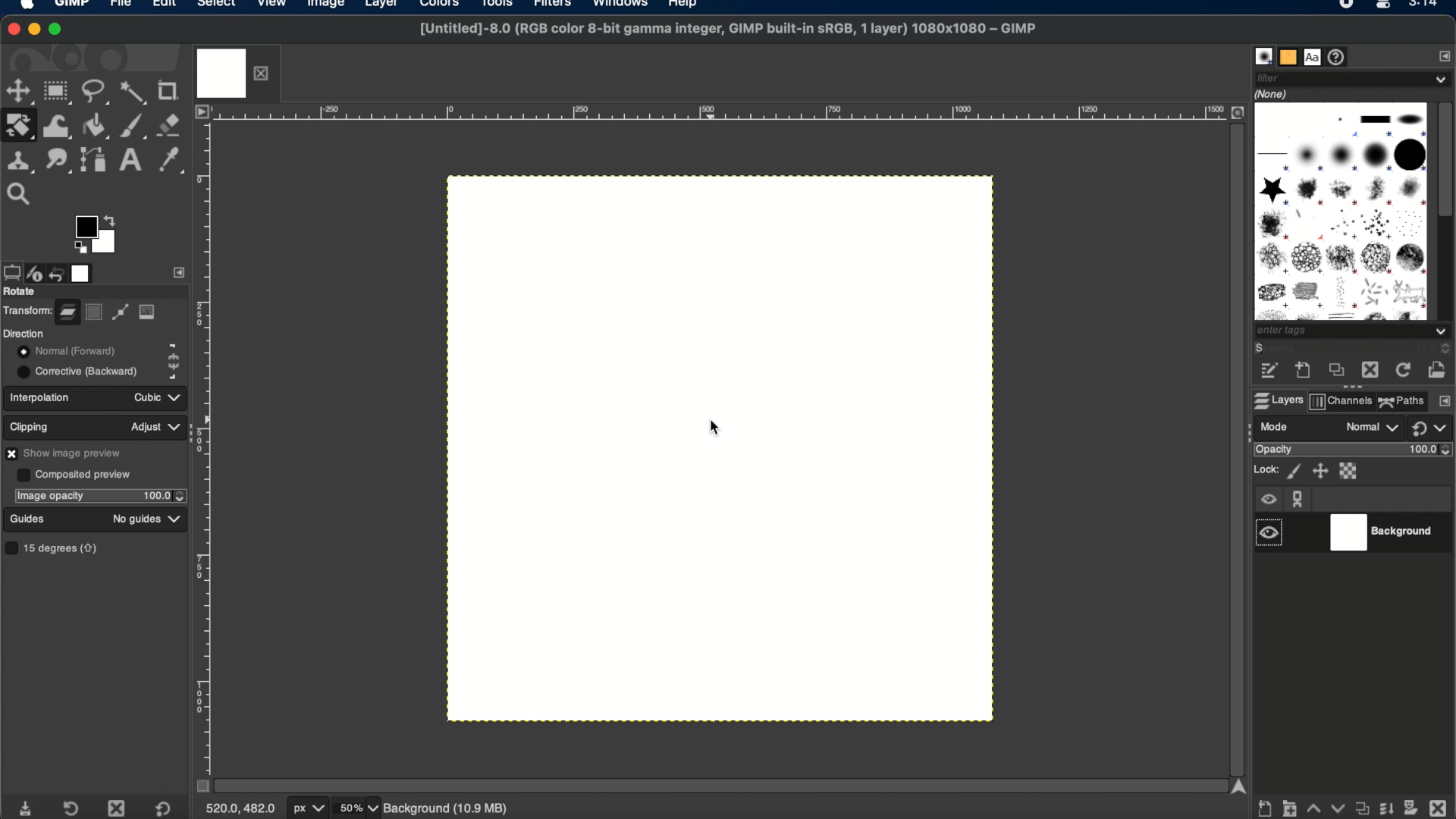  Describe the element at coordinates (74, 807) in the screenshot. I see `restore tool preset` at that location.